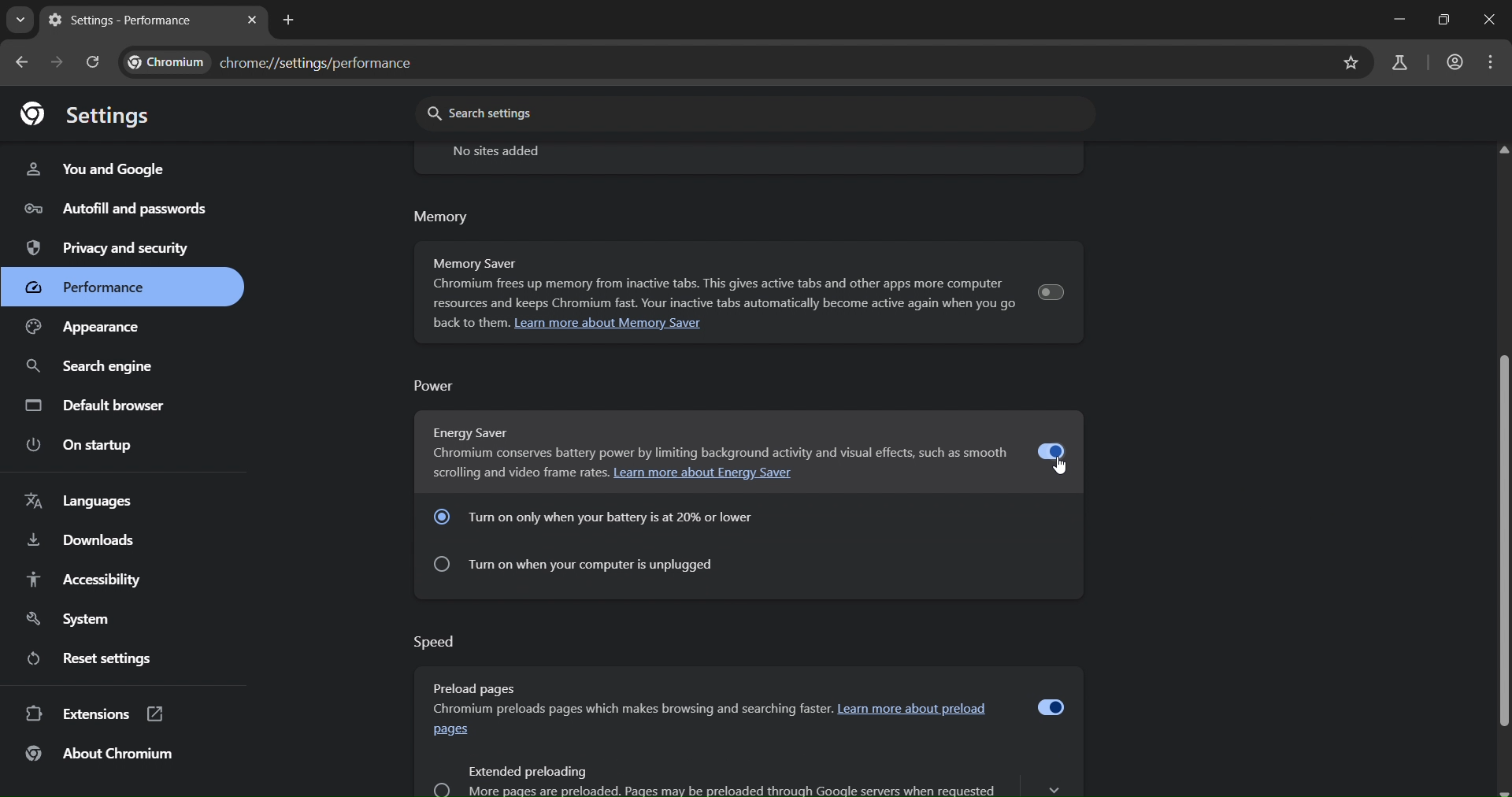  Describe the element at coordinates (432, 387) in the screenshot. I see `power` at that location.